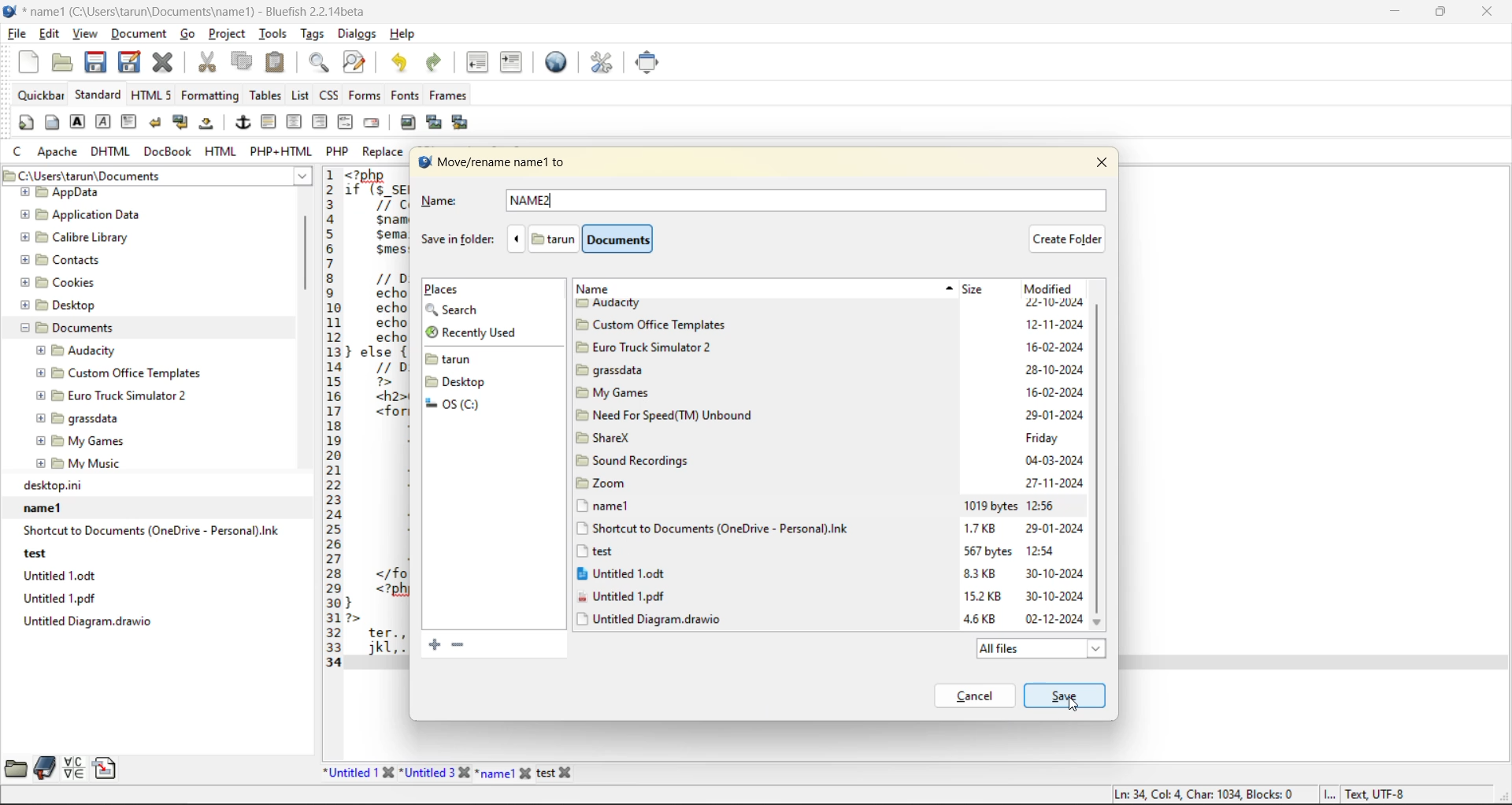  Describe the element at coordinates (265, 95) in the screenshot. I see `tables` at that location.